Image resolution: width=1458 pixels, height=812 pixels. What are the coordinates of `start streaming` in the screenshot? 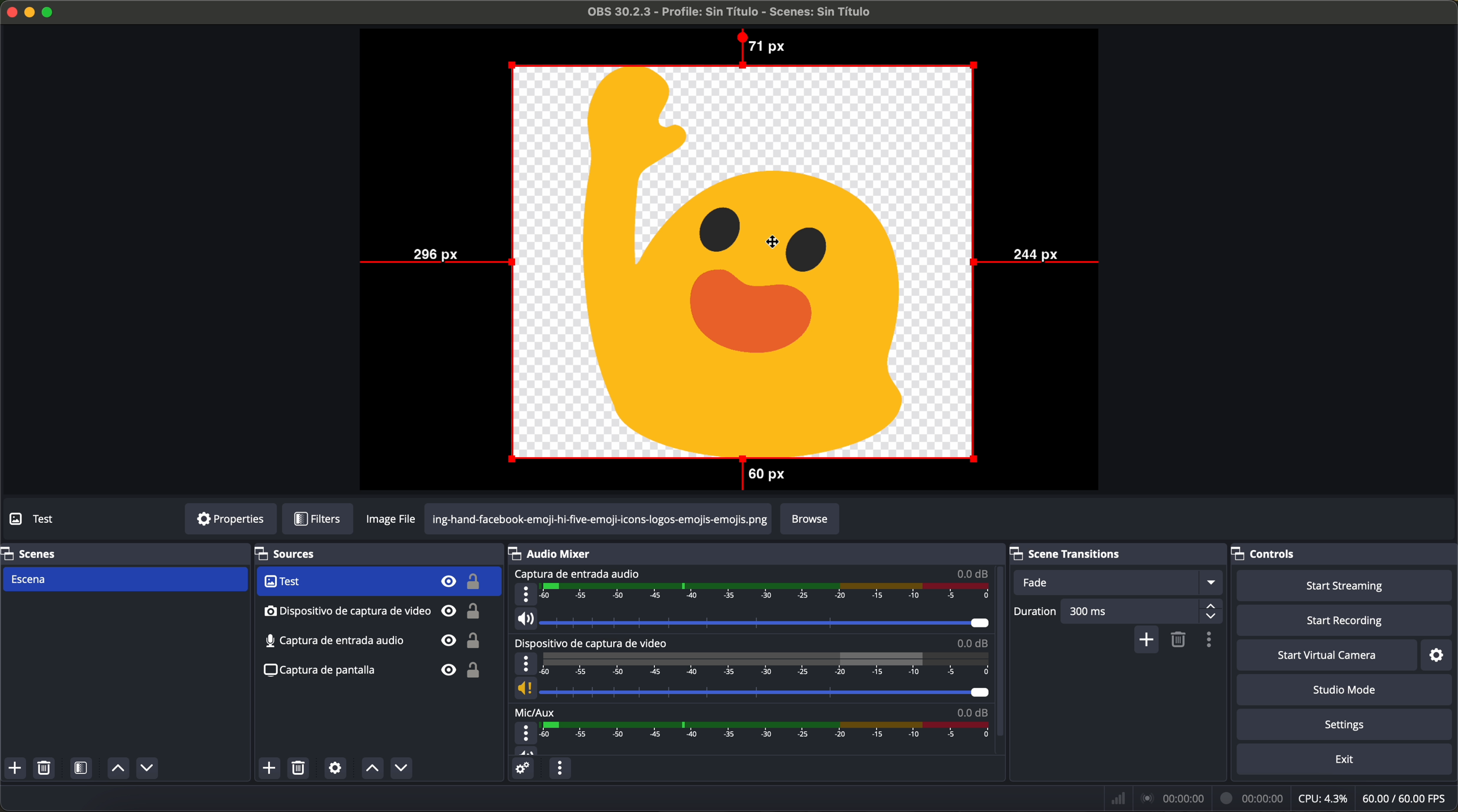 It's located at (1340, 585).